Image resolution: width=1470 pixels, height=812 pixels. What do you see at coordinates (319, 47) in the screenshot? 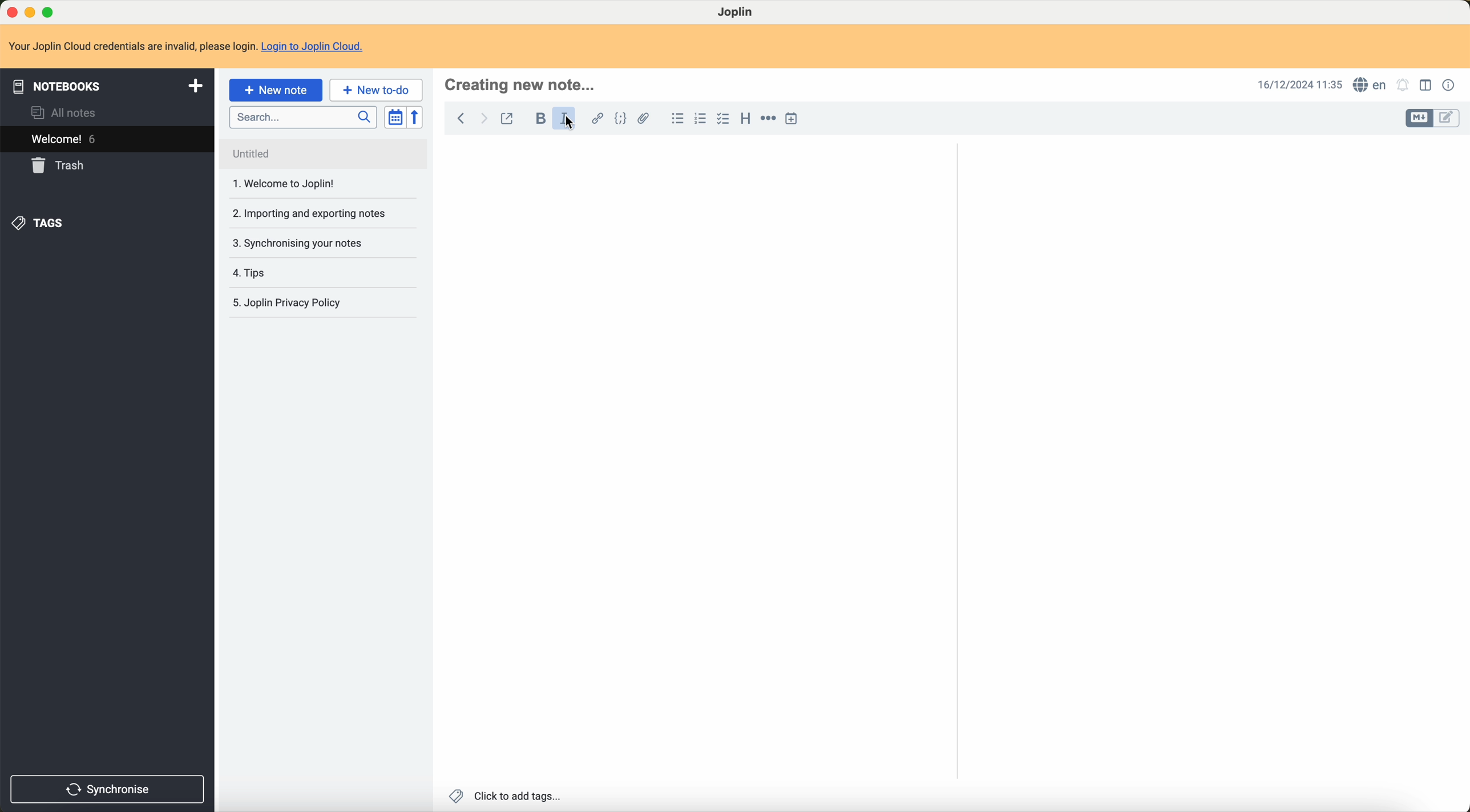
I see `Login to Joplin Cloud.` at bounding box center [319, 47].